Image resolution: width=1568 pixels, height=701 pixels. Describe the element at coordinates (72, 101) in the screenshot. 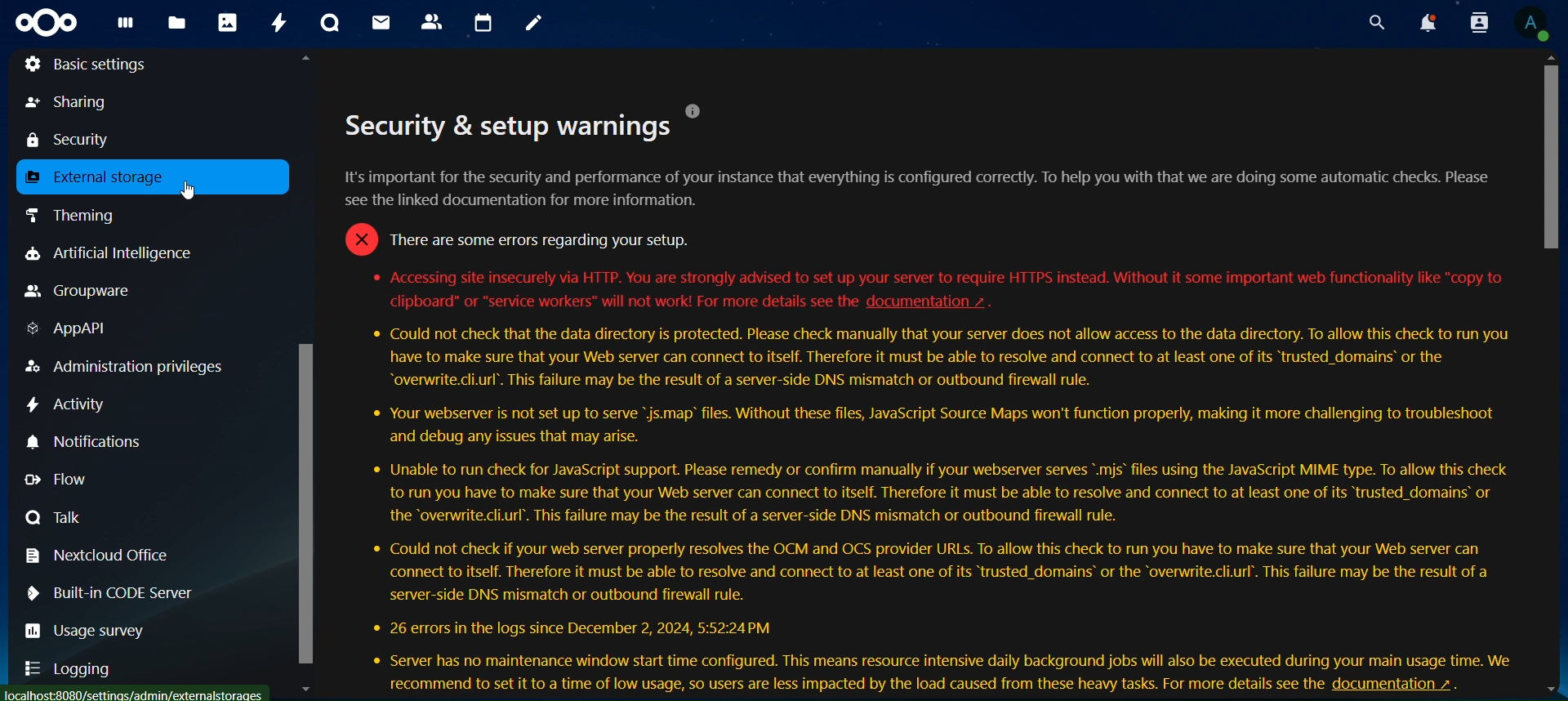

I see `sharing` at that location.